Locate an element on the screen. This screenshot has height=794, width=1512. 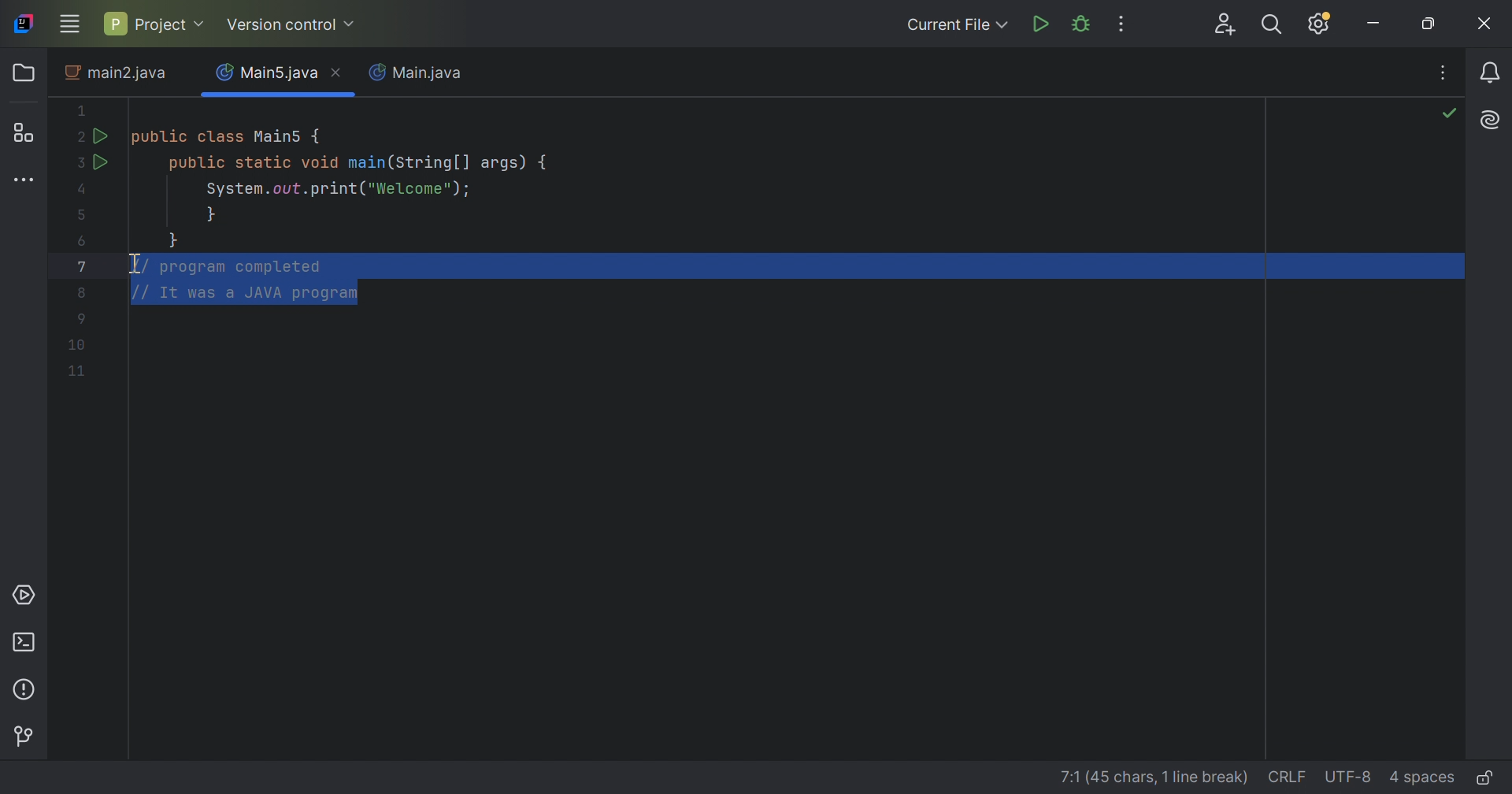
Version control is located at coordinates (24, 734).